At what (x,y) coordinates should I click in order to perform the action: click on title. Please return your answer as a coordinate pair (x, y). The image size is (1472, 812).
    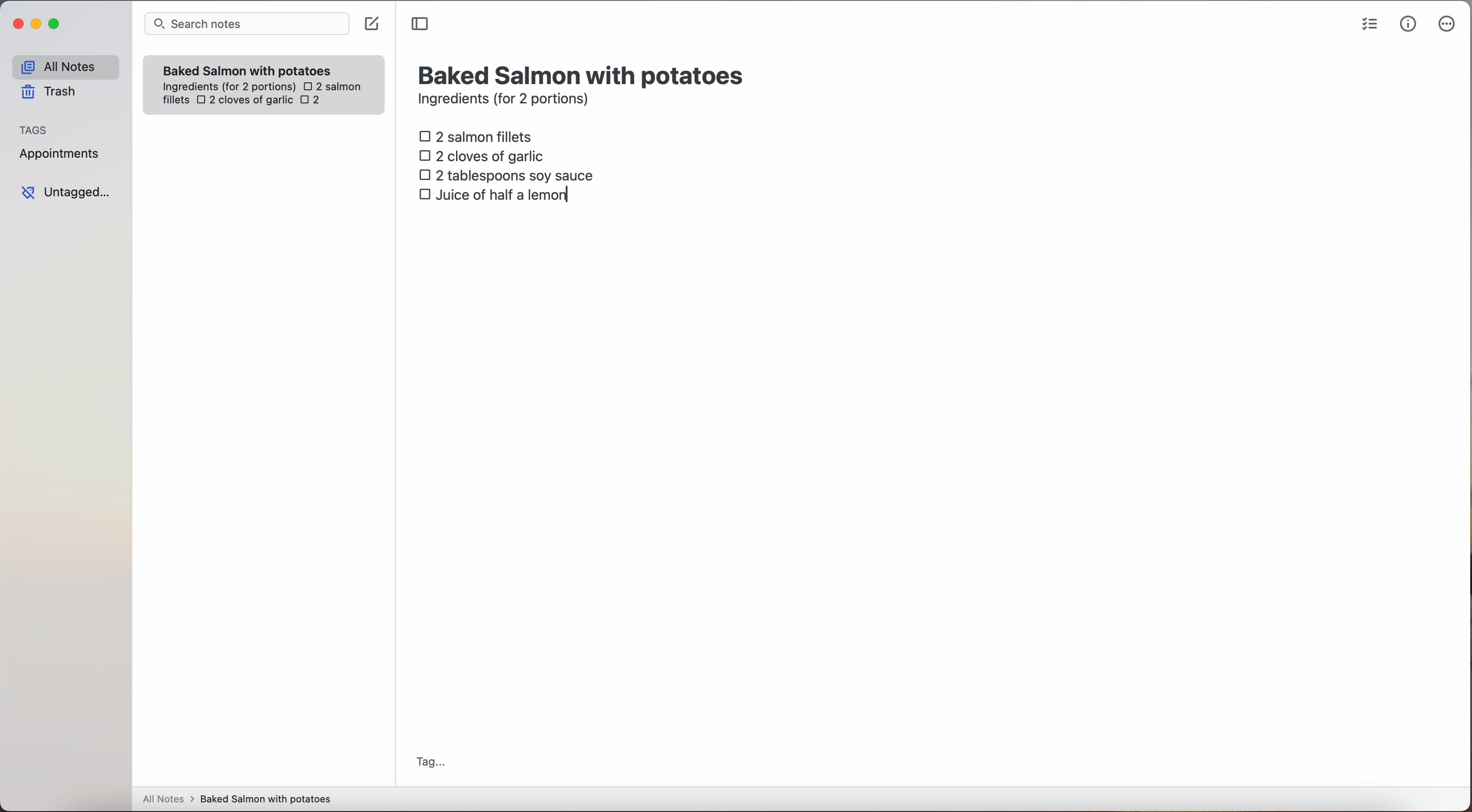
    Looking at the image, I should click on (583, 74).